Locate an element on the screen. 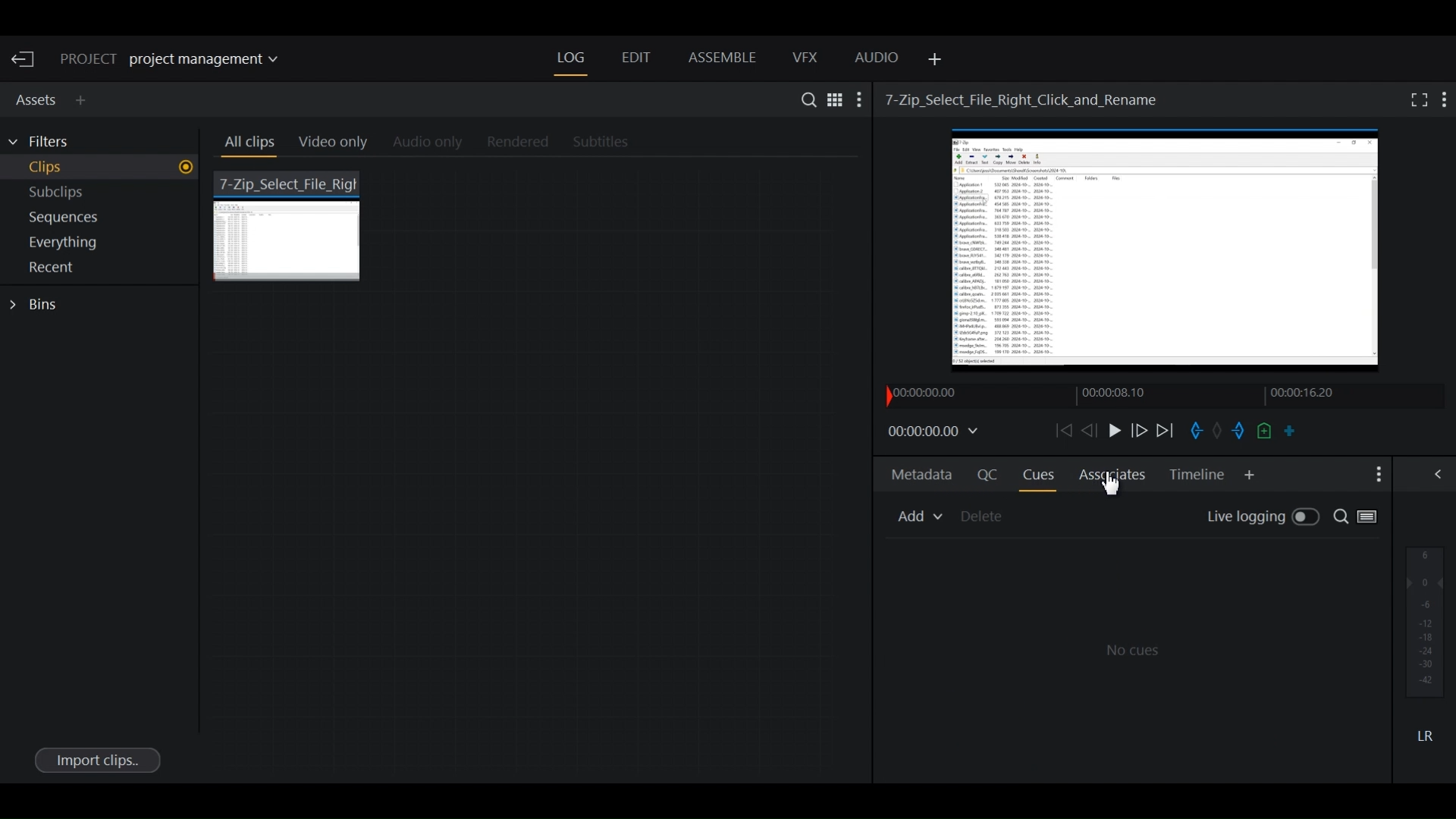 The width and height of the screenshot is (1456, 819). Enable/Disable Live Logging is located at coordinates (1263, 518).